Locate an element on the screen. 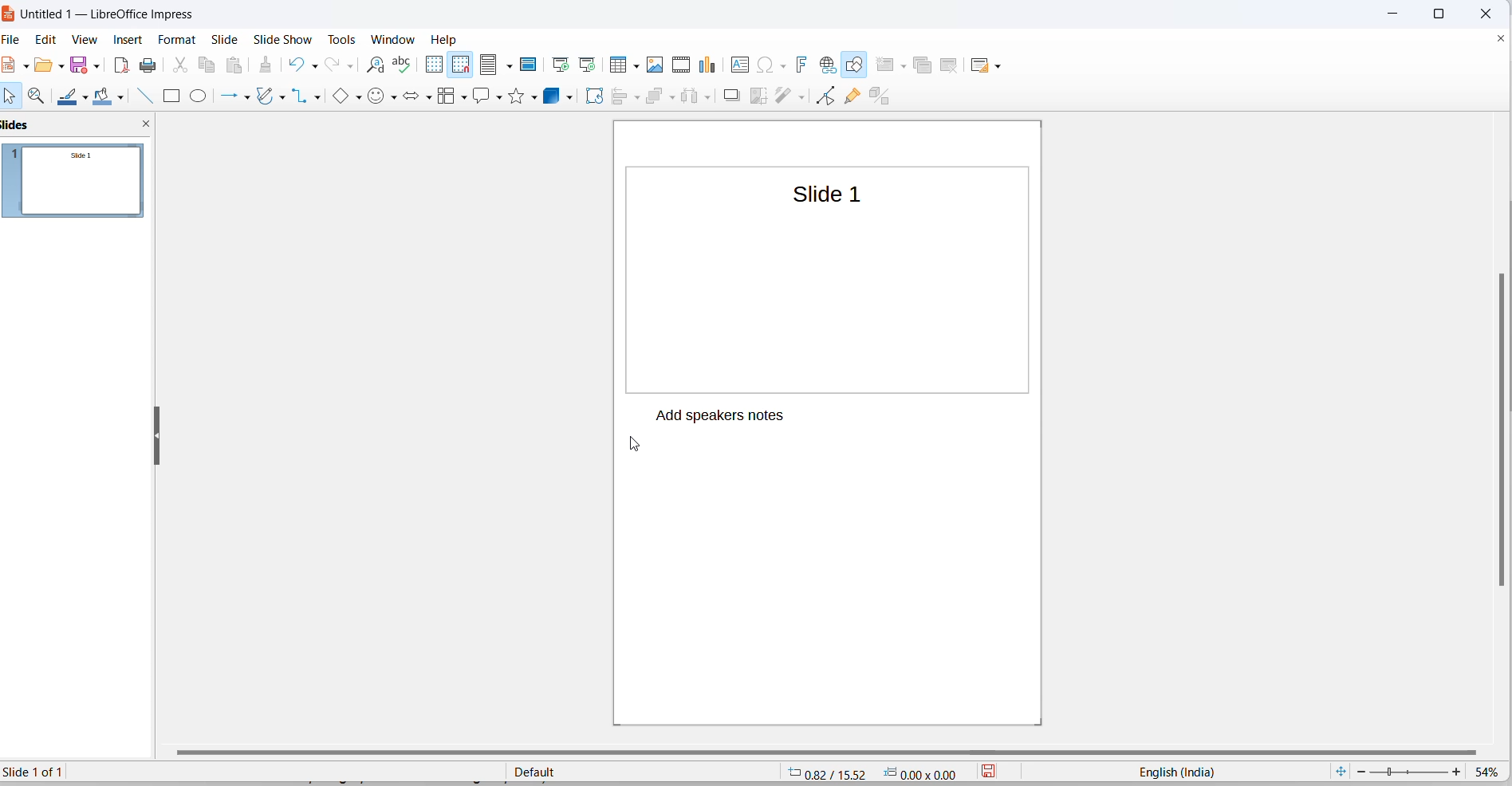 The image size is (1512, 786). find and replace is located at coordinates (375, 65).